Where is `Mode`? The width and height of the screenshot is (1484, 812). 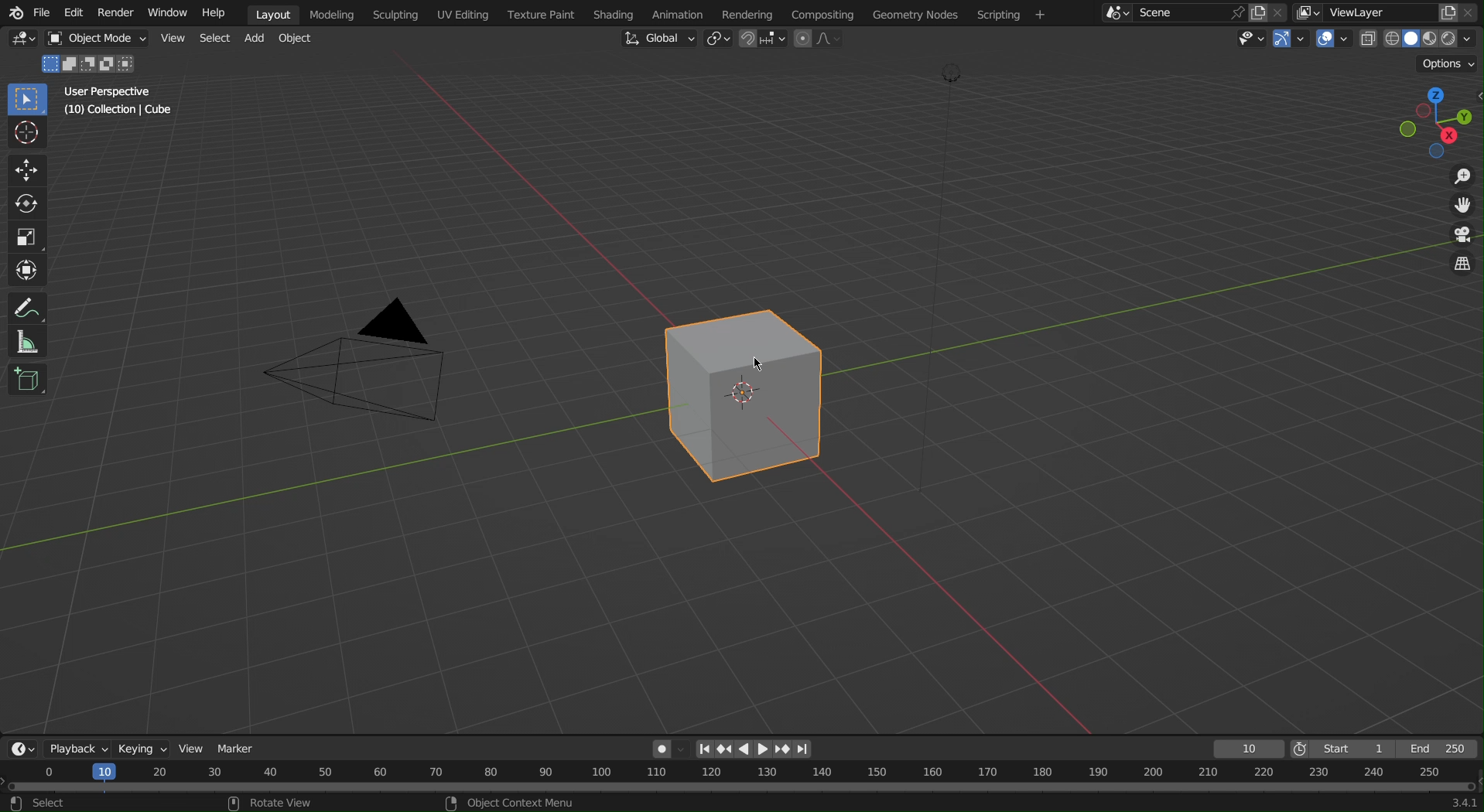 Mode is located at coordinates (91, 65).